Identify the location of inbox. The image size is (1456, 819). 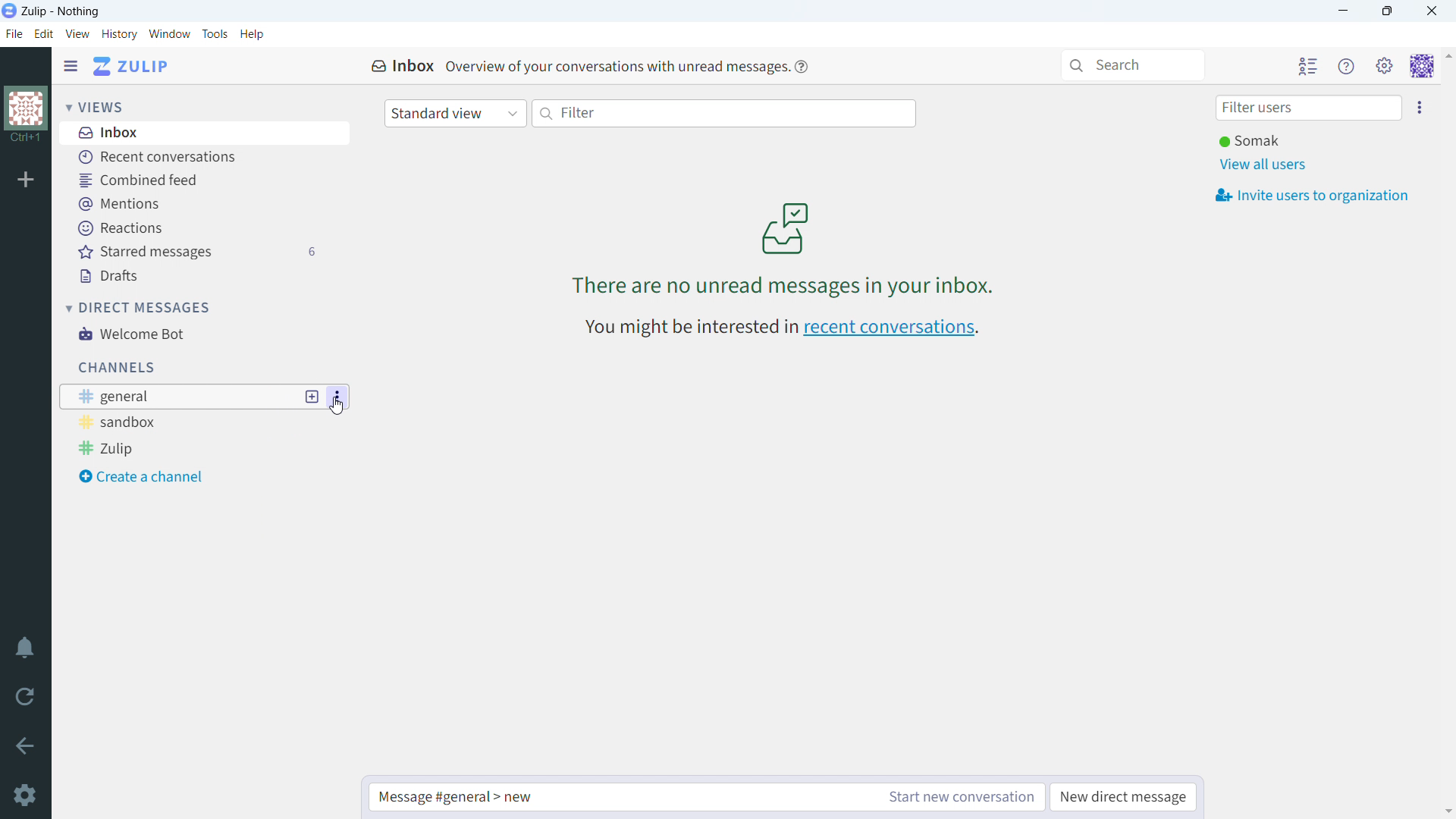
(194, 134).